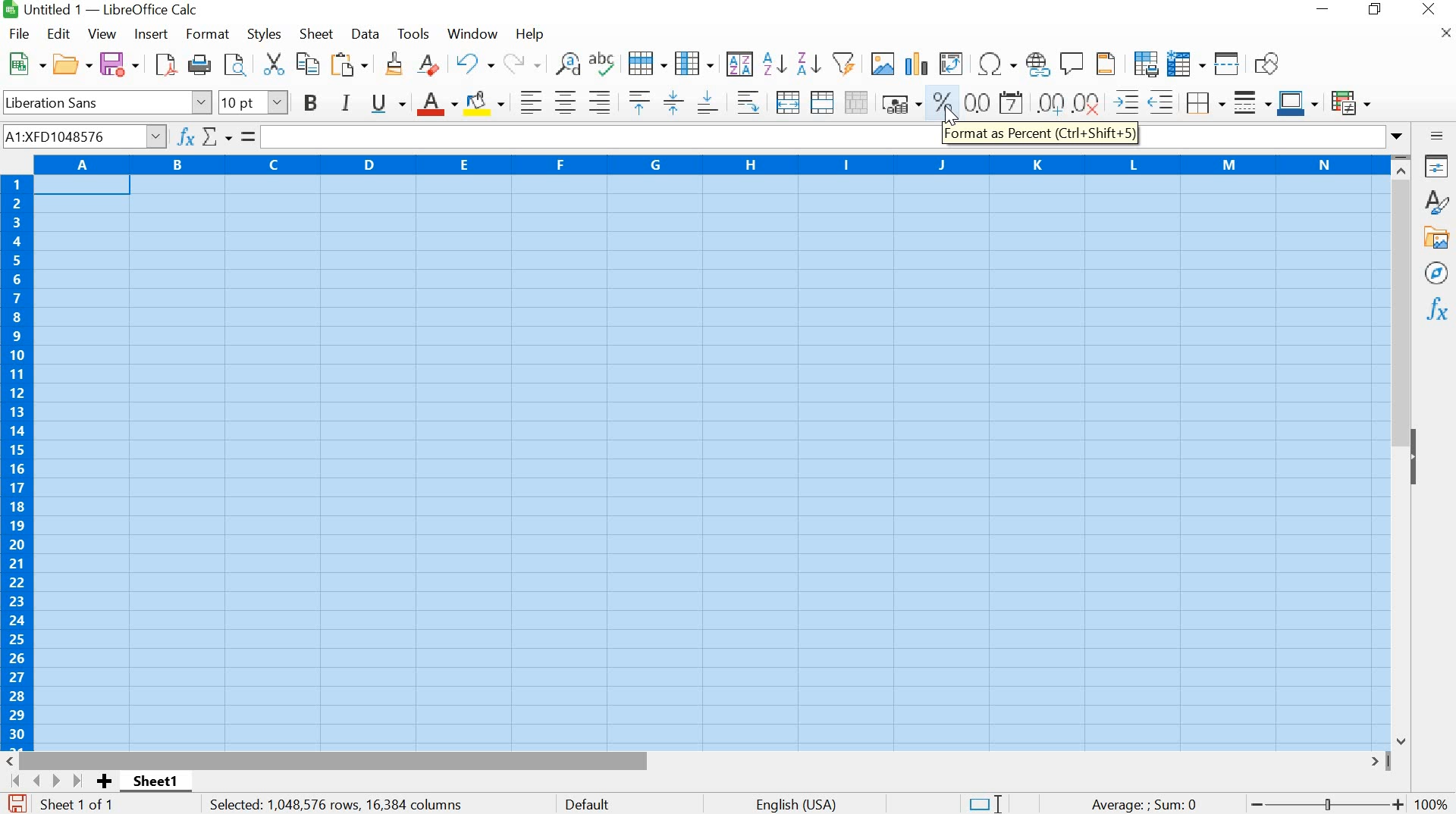 The width and height of the screenshot is (1456, 814). I want to click on Unmerge Cells, so click(857, 101).